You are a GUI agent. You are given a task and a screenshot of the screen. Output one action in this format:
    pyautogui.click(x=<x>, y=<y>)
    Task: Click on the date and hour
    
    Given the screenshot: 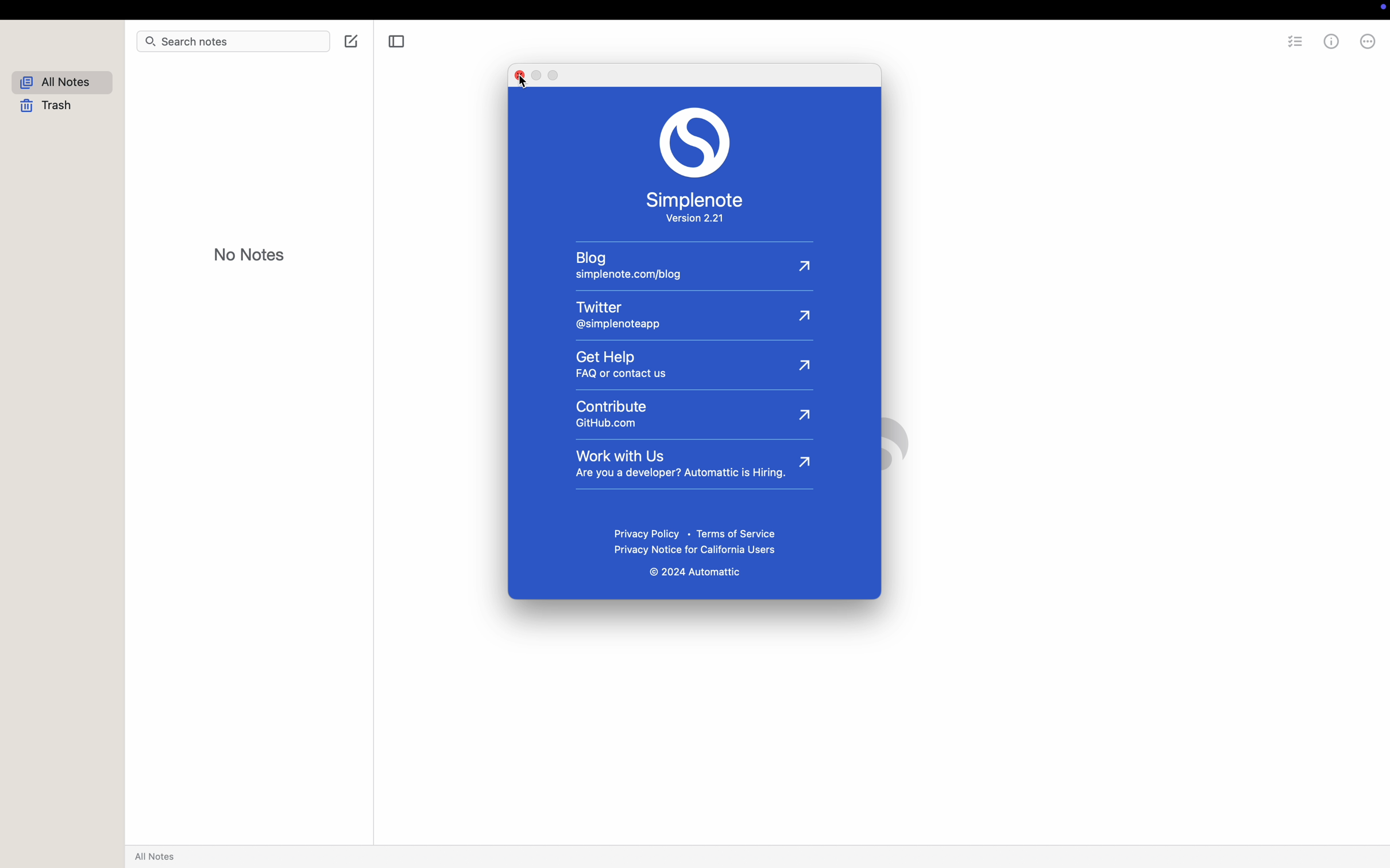 What is the action you would take?
    pyautogui.click(x=1335, y=9)
    